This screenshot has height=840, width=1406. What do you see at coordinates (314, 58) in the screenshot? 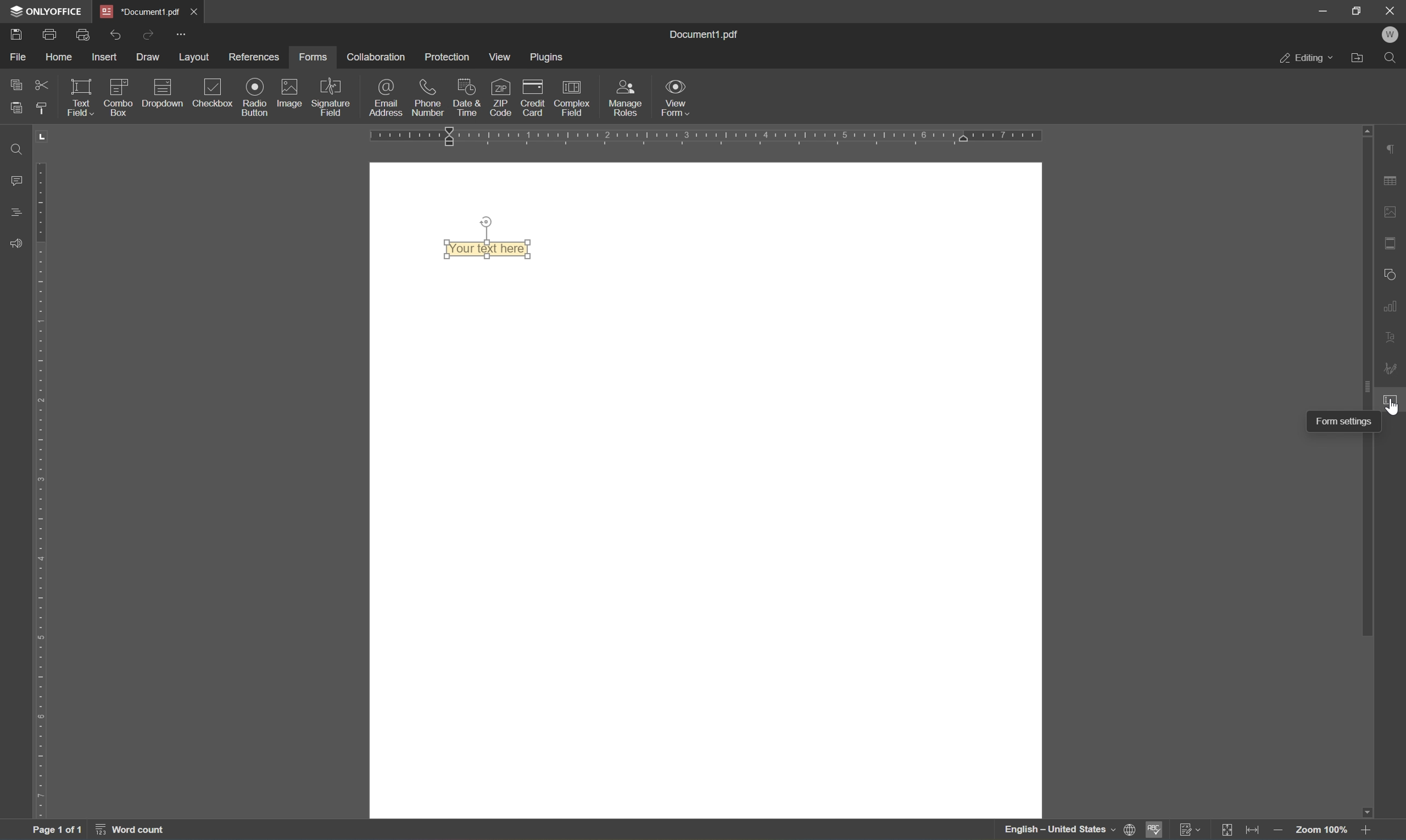
I see `forms` at bounding box center [314, 58].